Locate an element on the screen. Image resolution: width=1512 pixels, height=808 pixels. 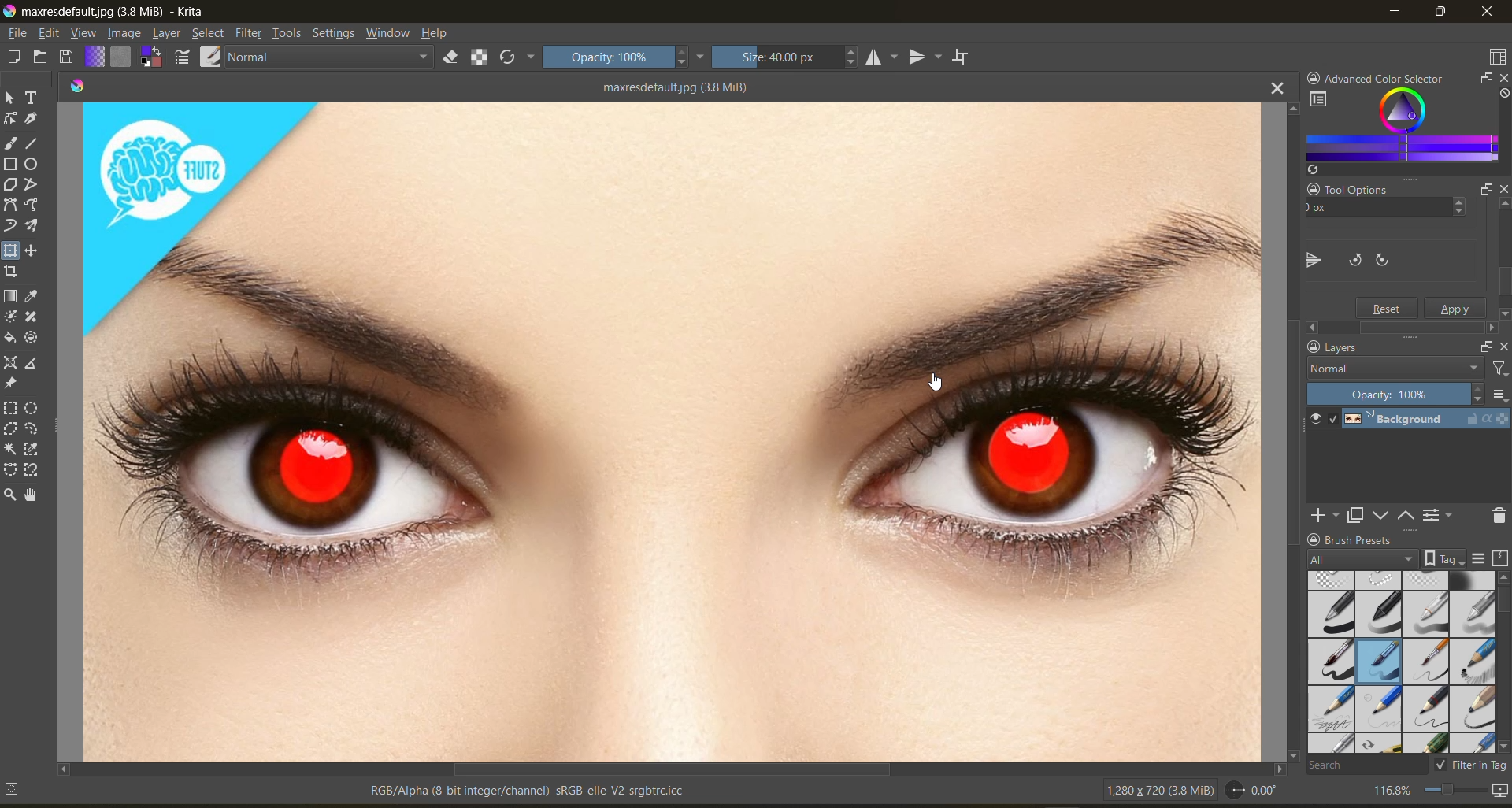
search is located at coordinates (1373, 766).